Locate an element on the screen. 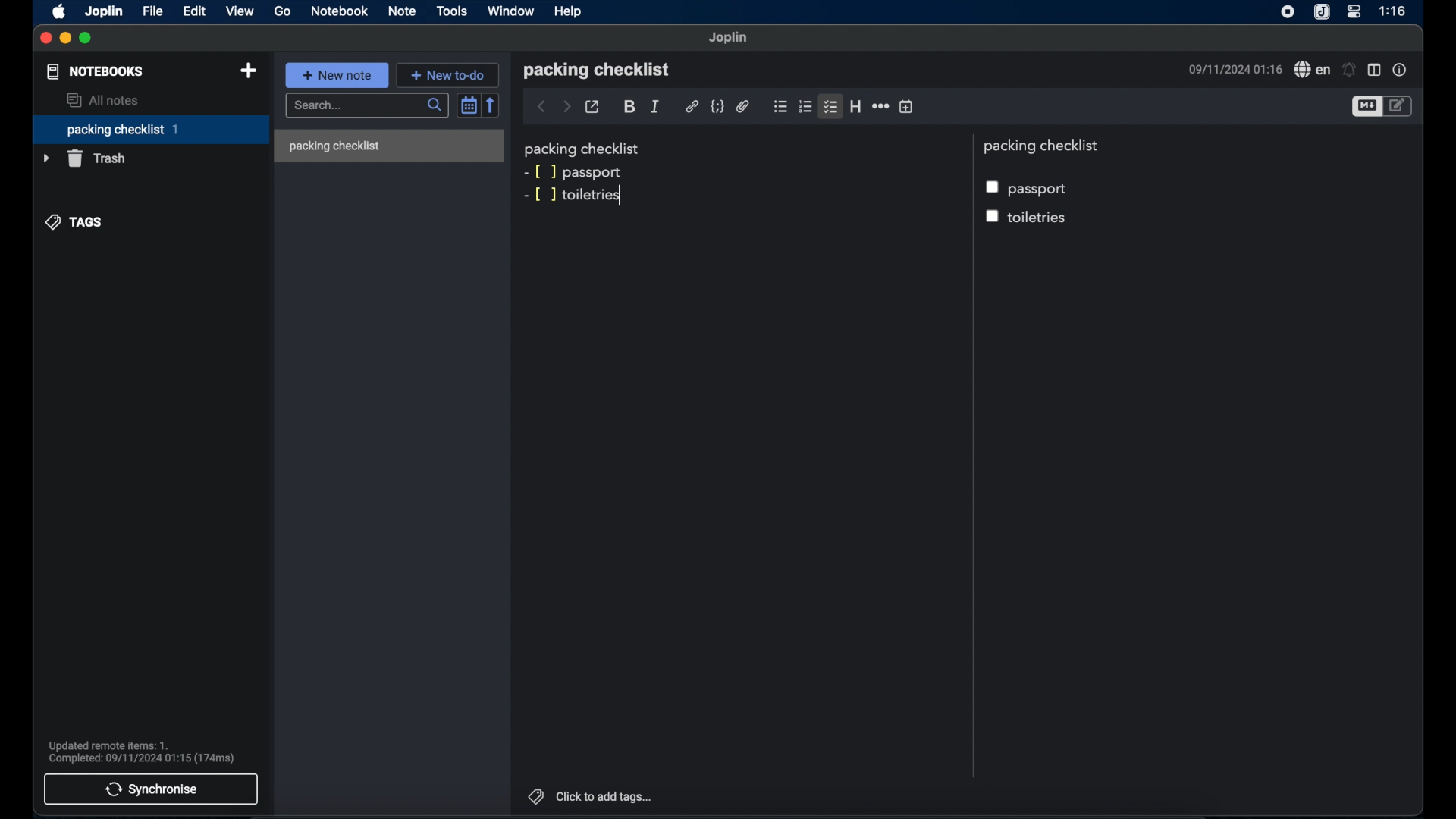 The width and height of the screenshot is (1456, 819). packing checklist is located at coordinates (596, 70).